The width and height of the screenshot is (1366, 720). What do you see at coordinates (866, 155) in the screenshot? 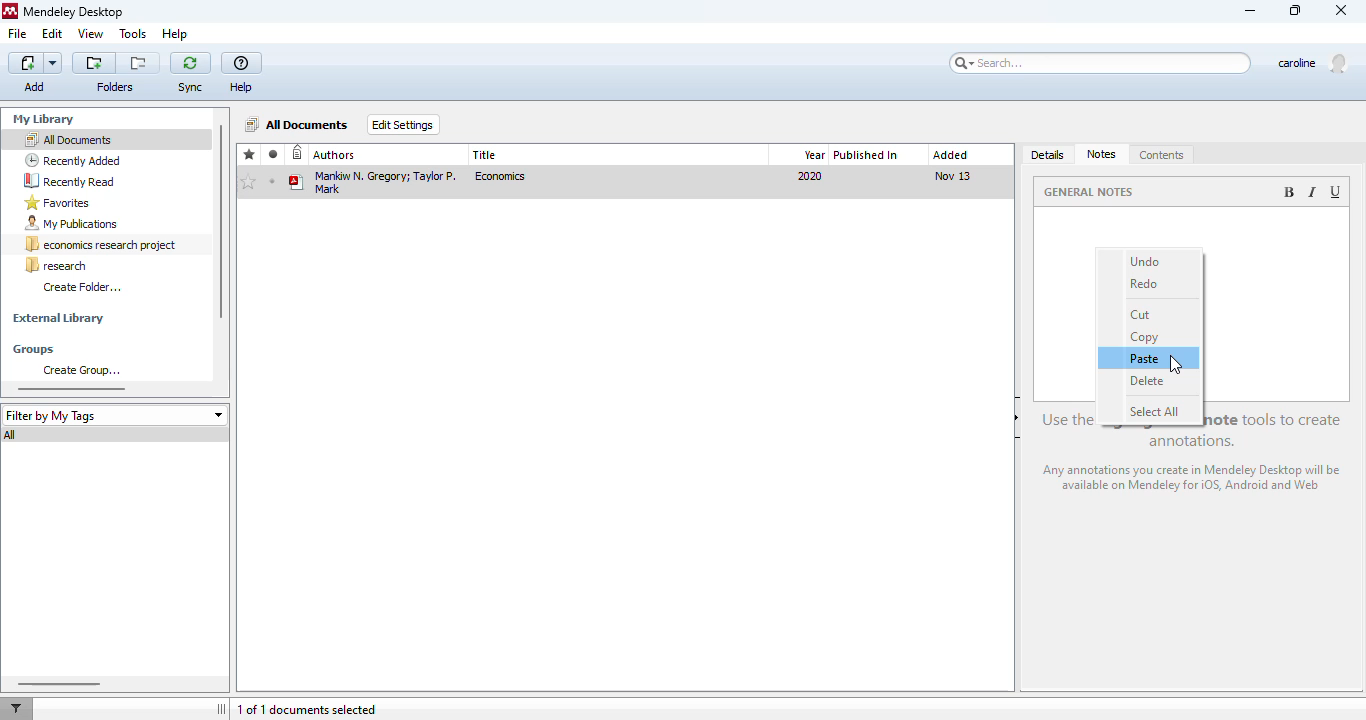
I see `published in` at bounding box center [866, 155].